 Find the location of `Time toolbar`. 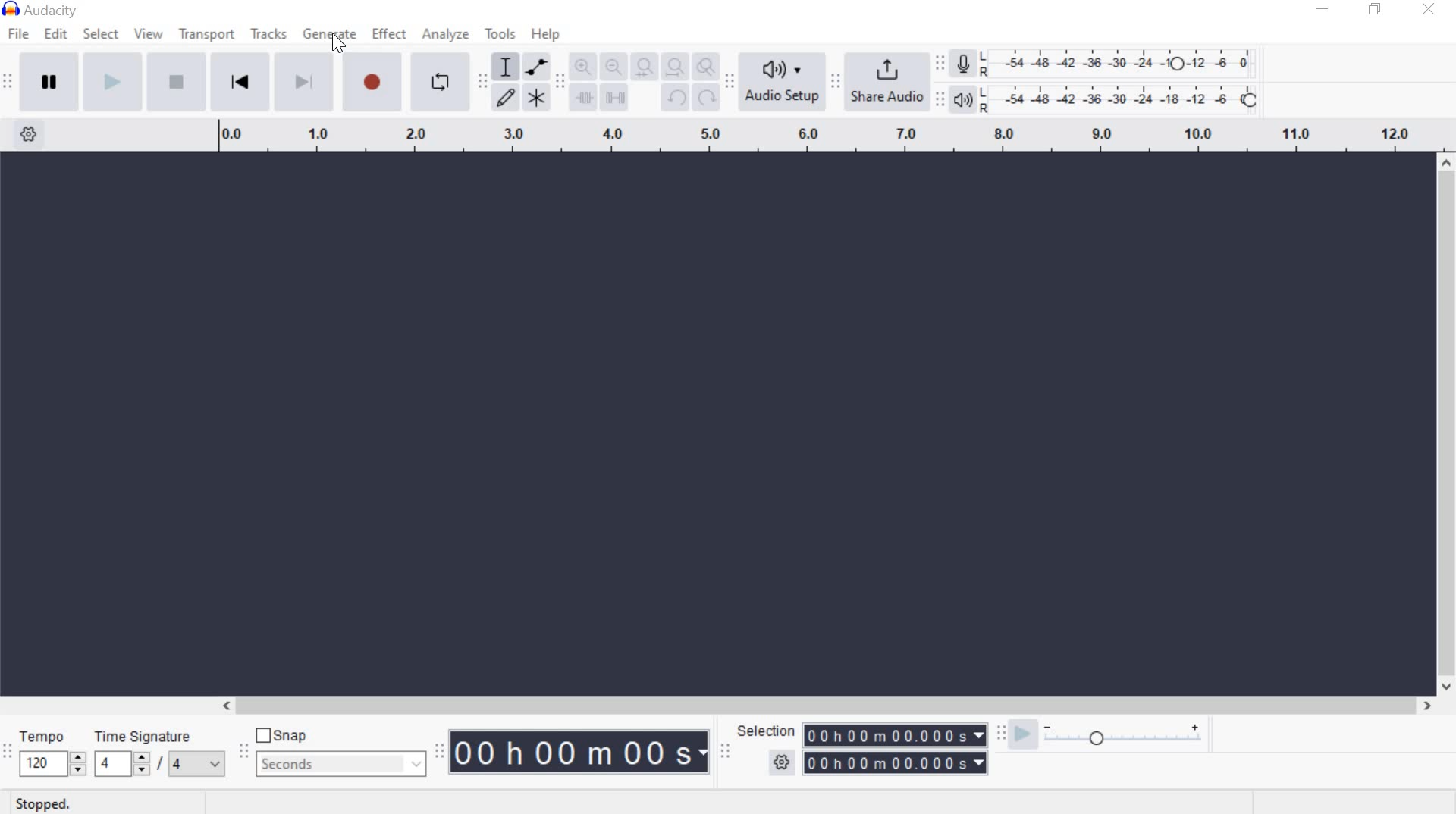

Time toolbar is located at coordinates (438, 753).